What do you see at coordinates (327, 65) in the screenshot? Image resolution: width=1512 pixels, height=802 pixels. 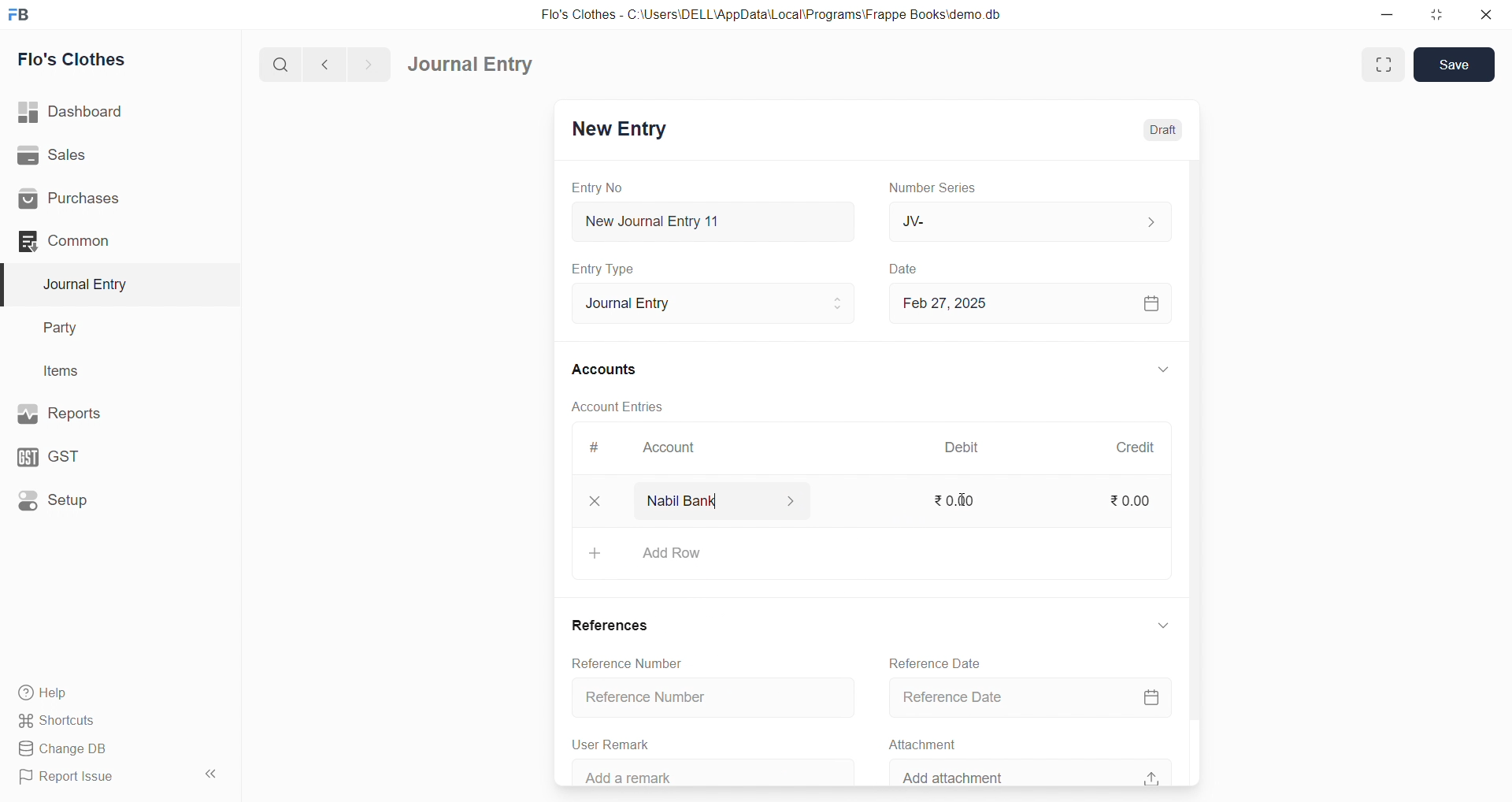 I see `navigate backward` at bounding box center [327, 65].